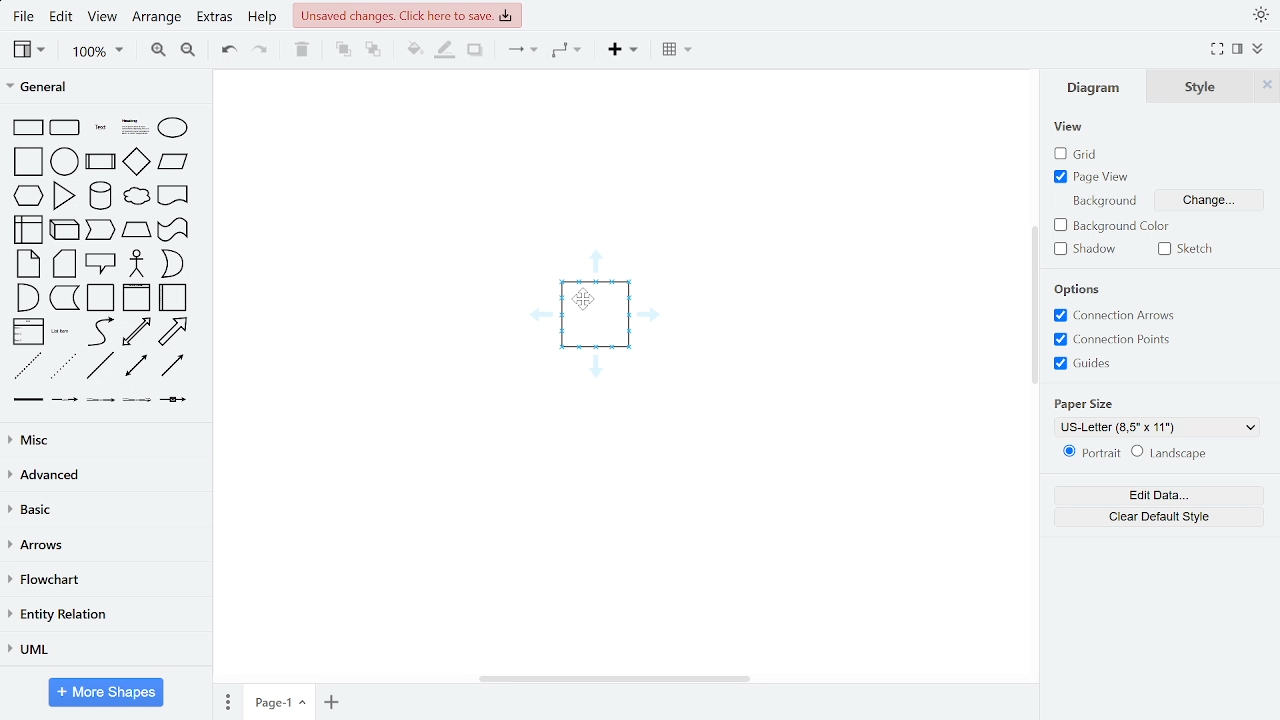 The image size is (1280, 720). What do you see at coordinates (302, 51) in the screenshot?
I see `delete` at bounding box center [302, 51].